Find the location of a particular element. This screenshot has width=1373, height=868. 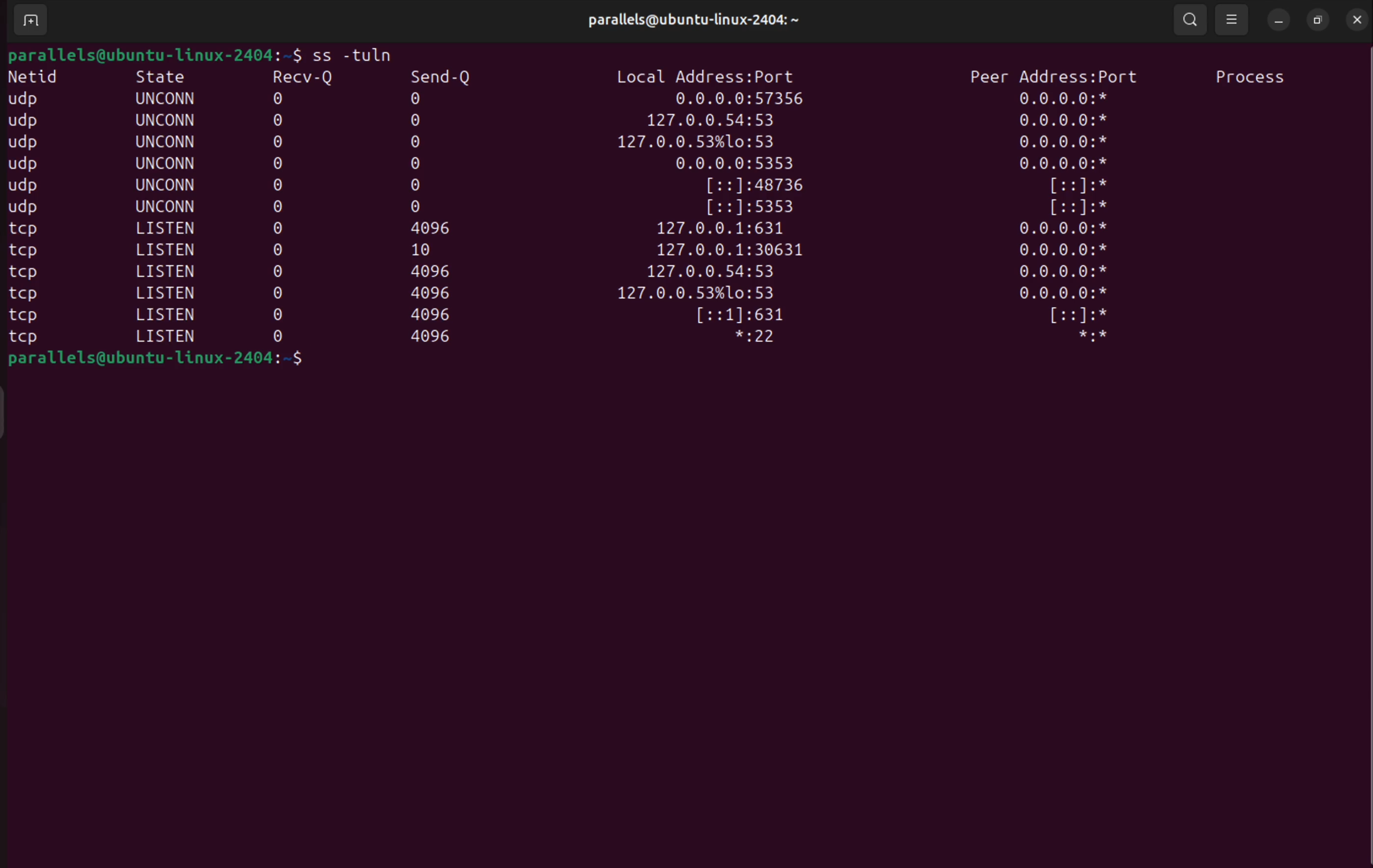

tcp is located at coordinates (28, 251).